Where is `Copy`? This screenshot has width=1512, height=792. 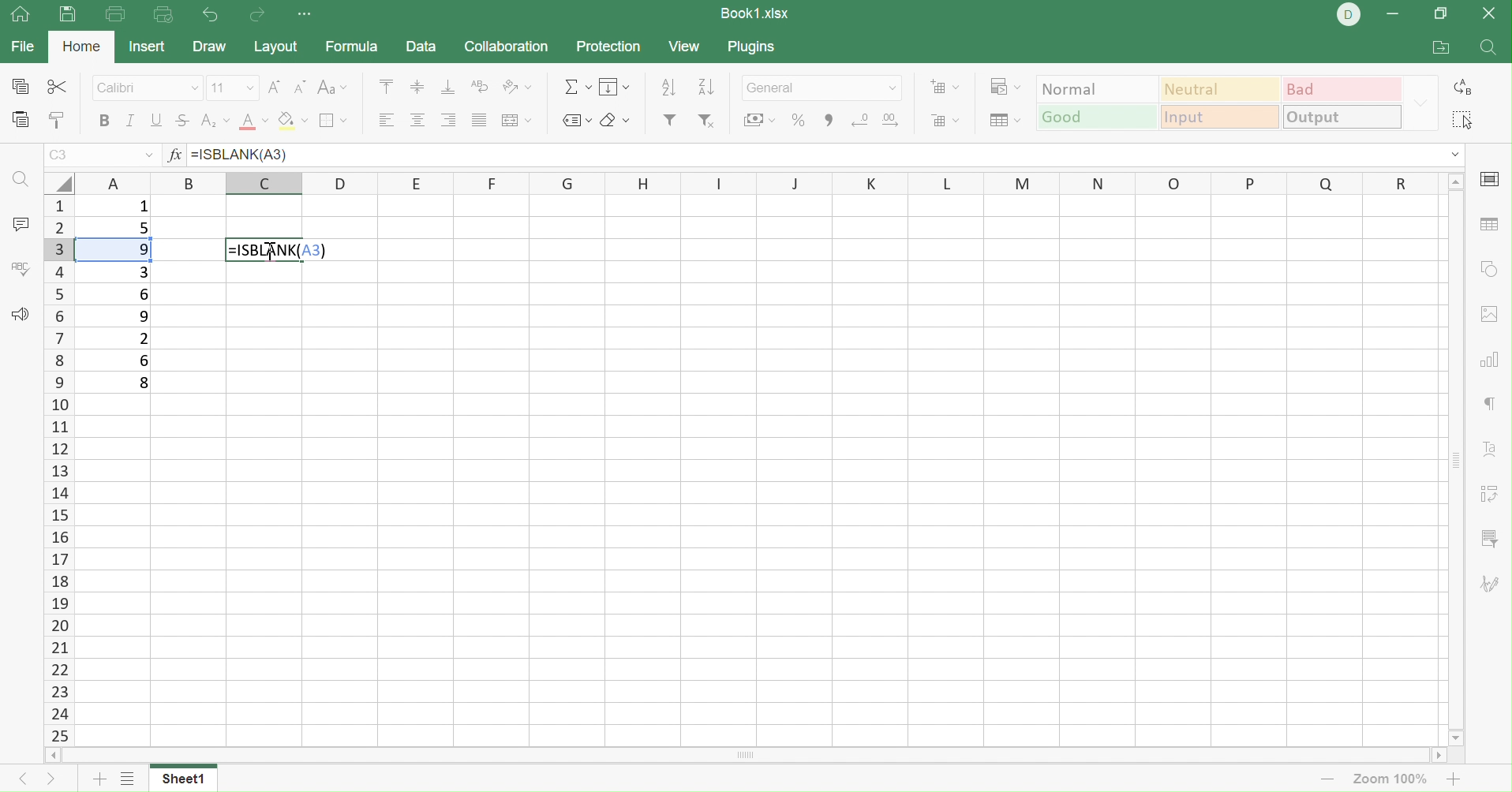
Copy is located at coordinates (19, 85).